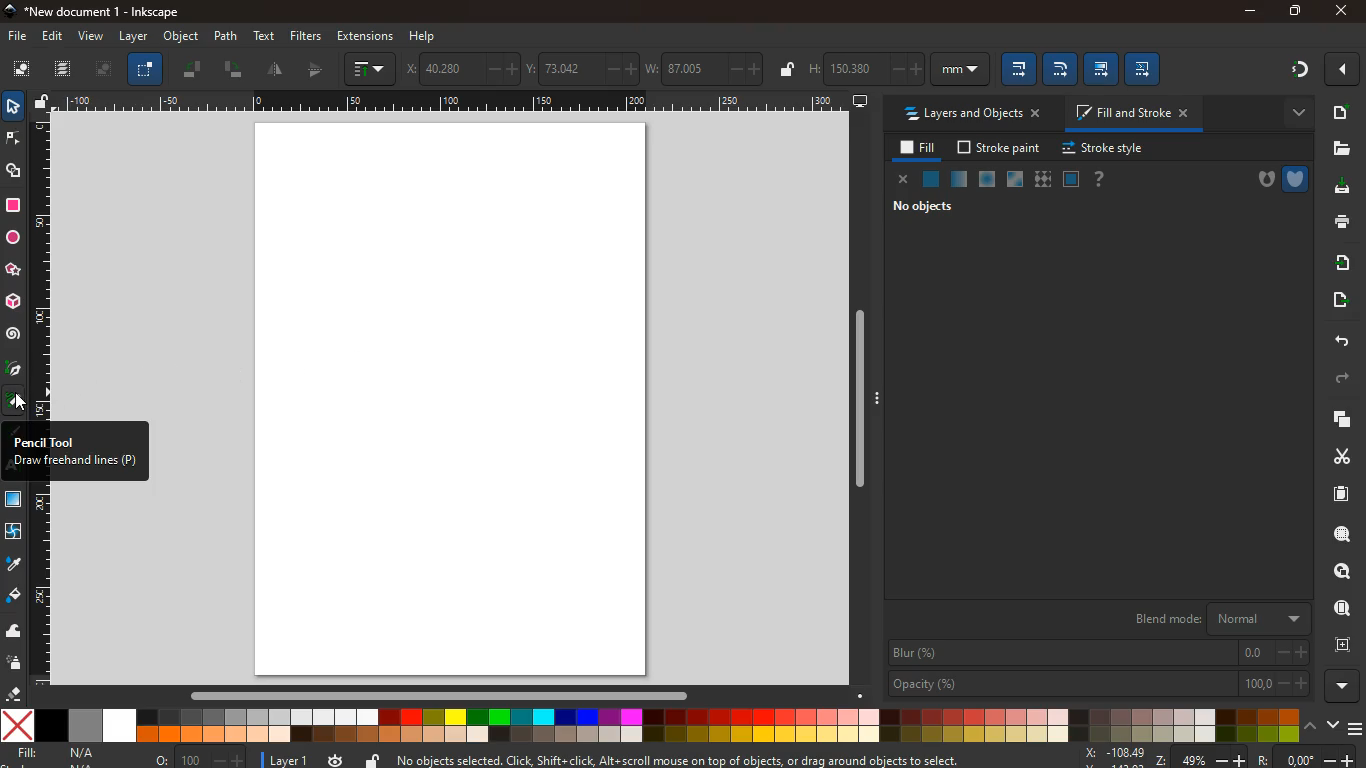 This screenshot has width=1366, height=768. Describe the element at coordinates (1335, 572) in the screenshot. I see `find` at that location.